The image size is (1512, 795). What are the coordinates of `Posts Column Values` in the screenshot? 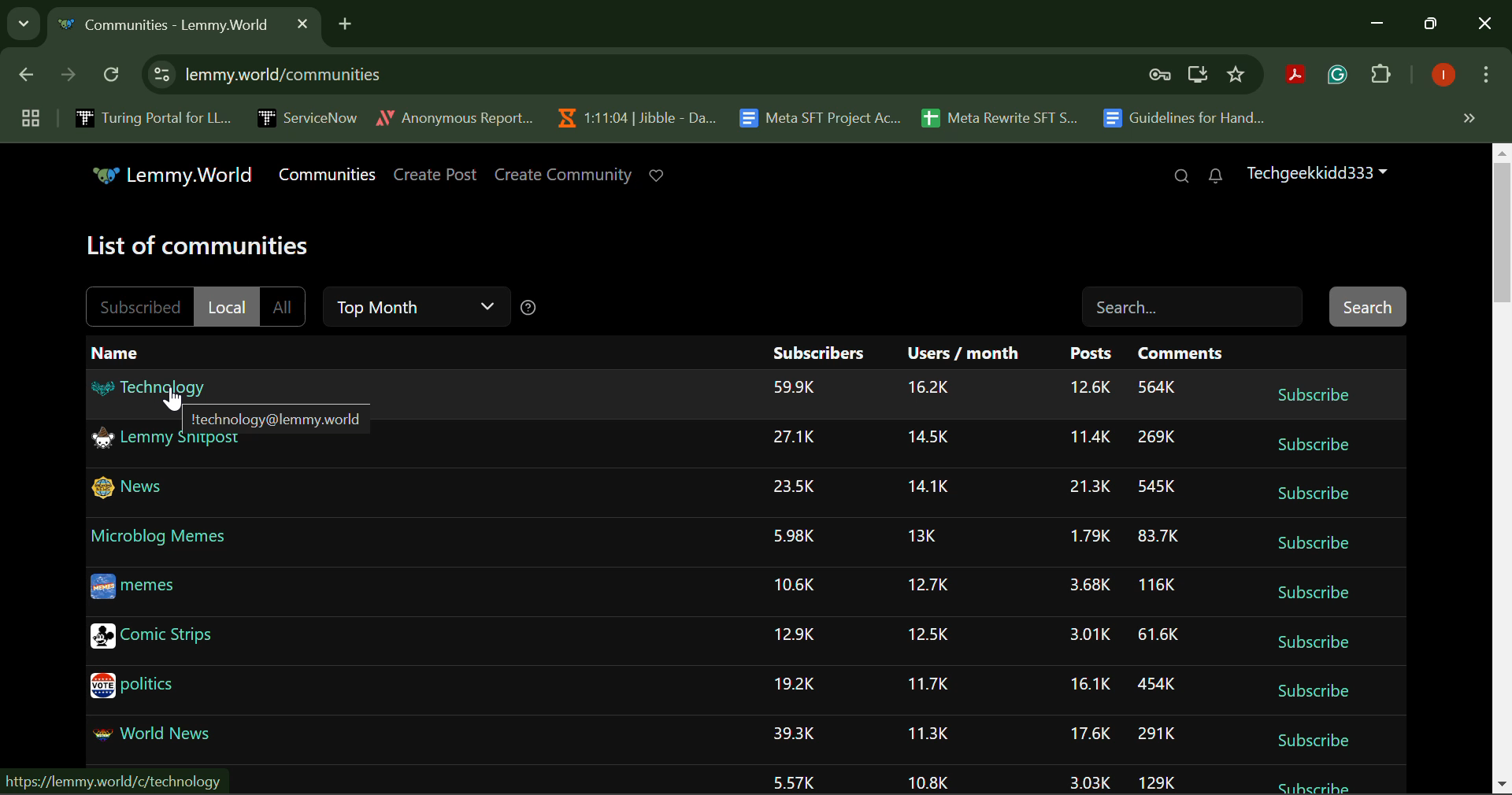 It's located at (1091, 583).